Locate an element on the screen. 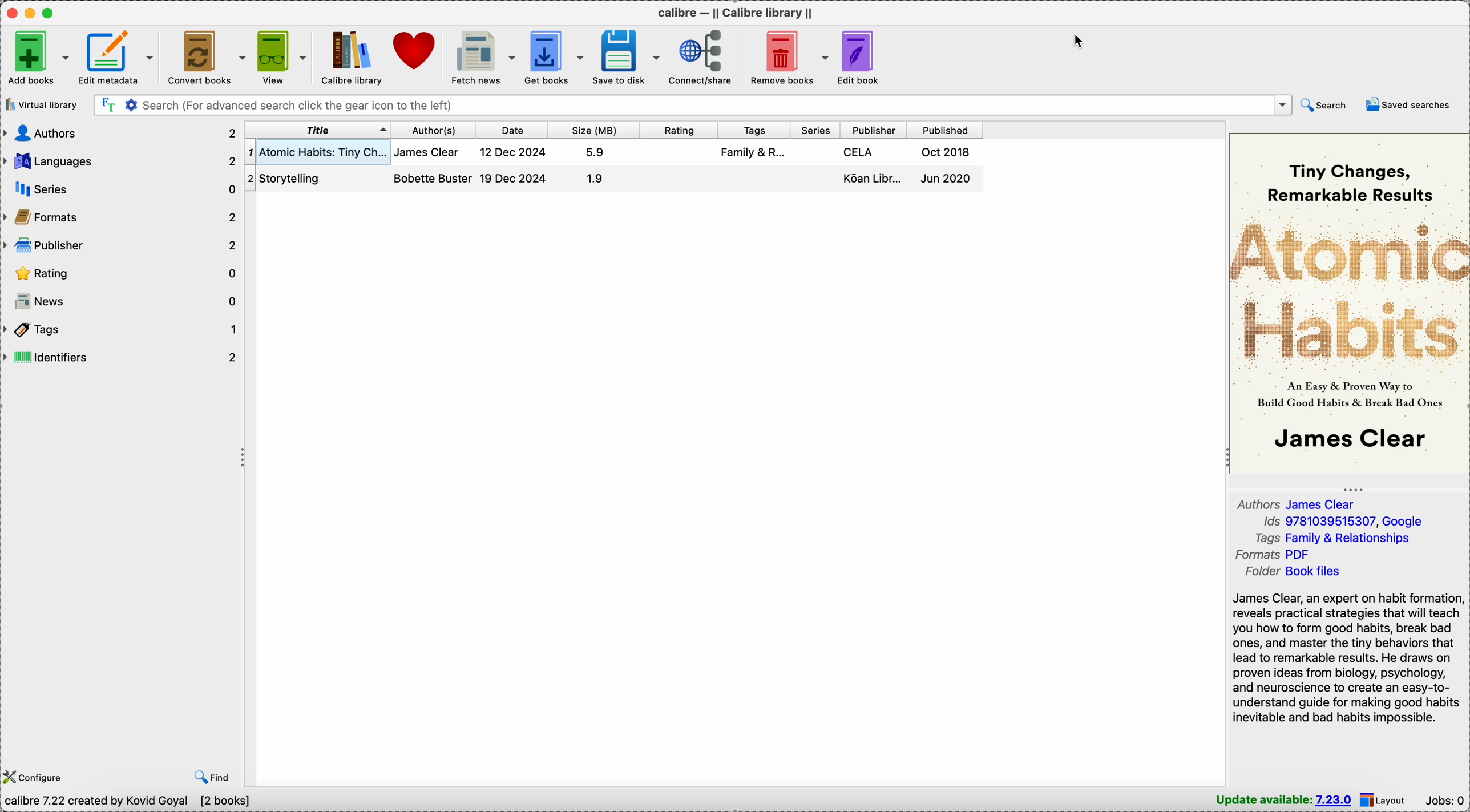  edit metadata is located at coordinates (116, 58).